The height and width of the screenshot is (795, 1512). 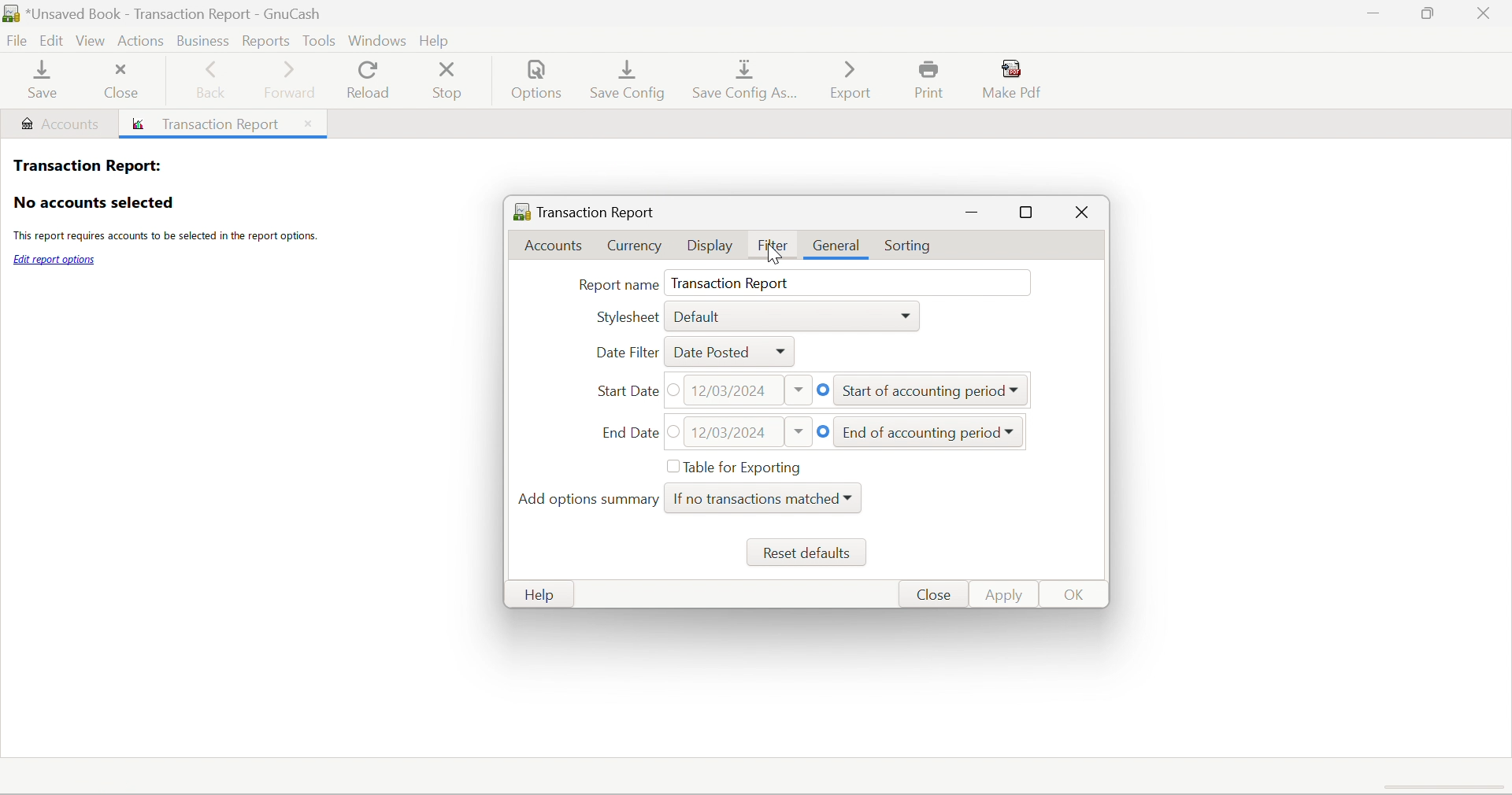 What do you see at coordinates (539, 83) in the screenshot?
I see `Options` at bounding box center [539, 83].